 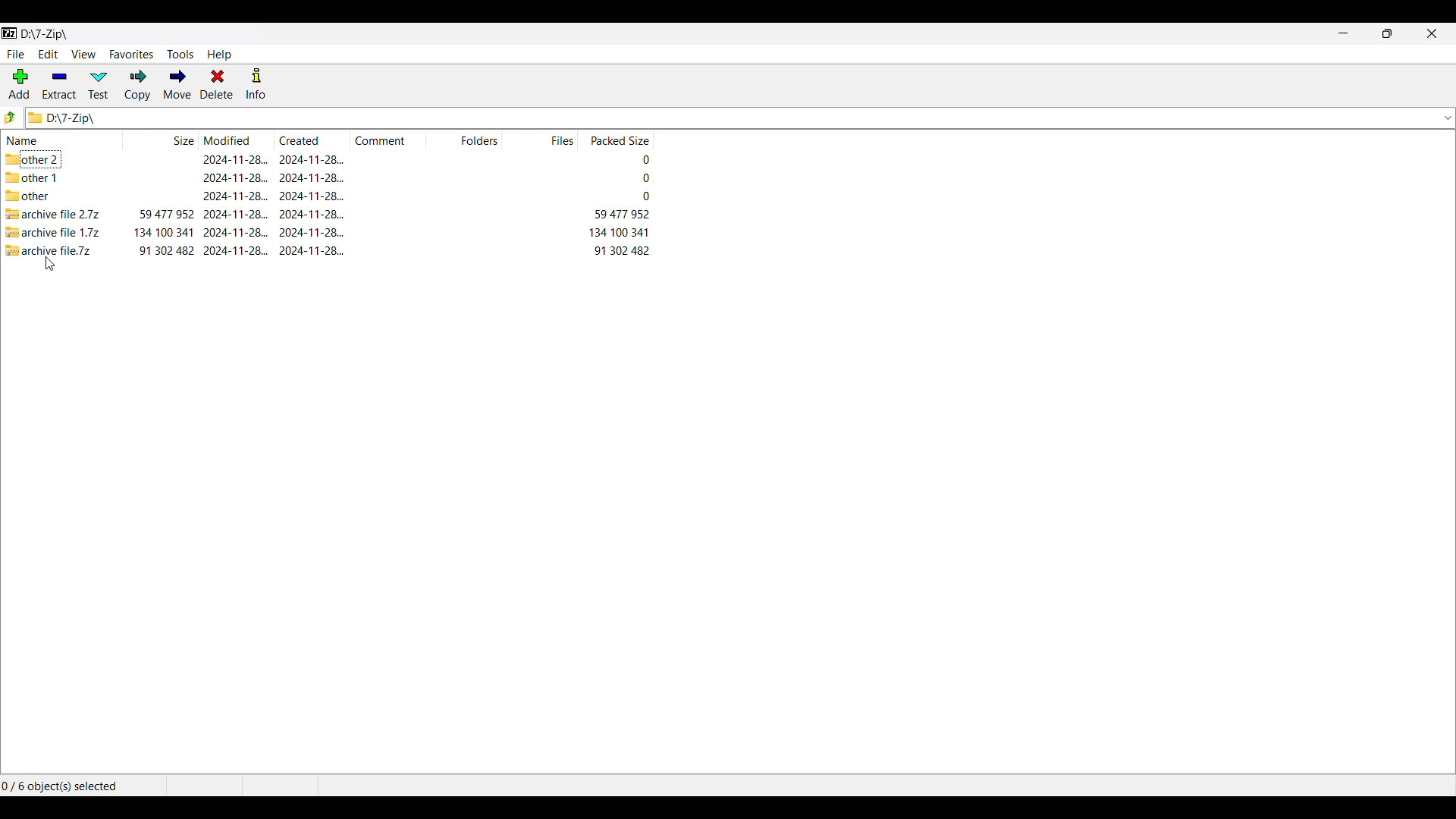 What do you see at coordinates (1432, 33) in the screenshot?
I see `Close interface` at bounding box center [1432, 33].